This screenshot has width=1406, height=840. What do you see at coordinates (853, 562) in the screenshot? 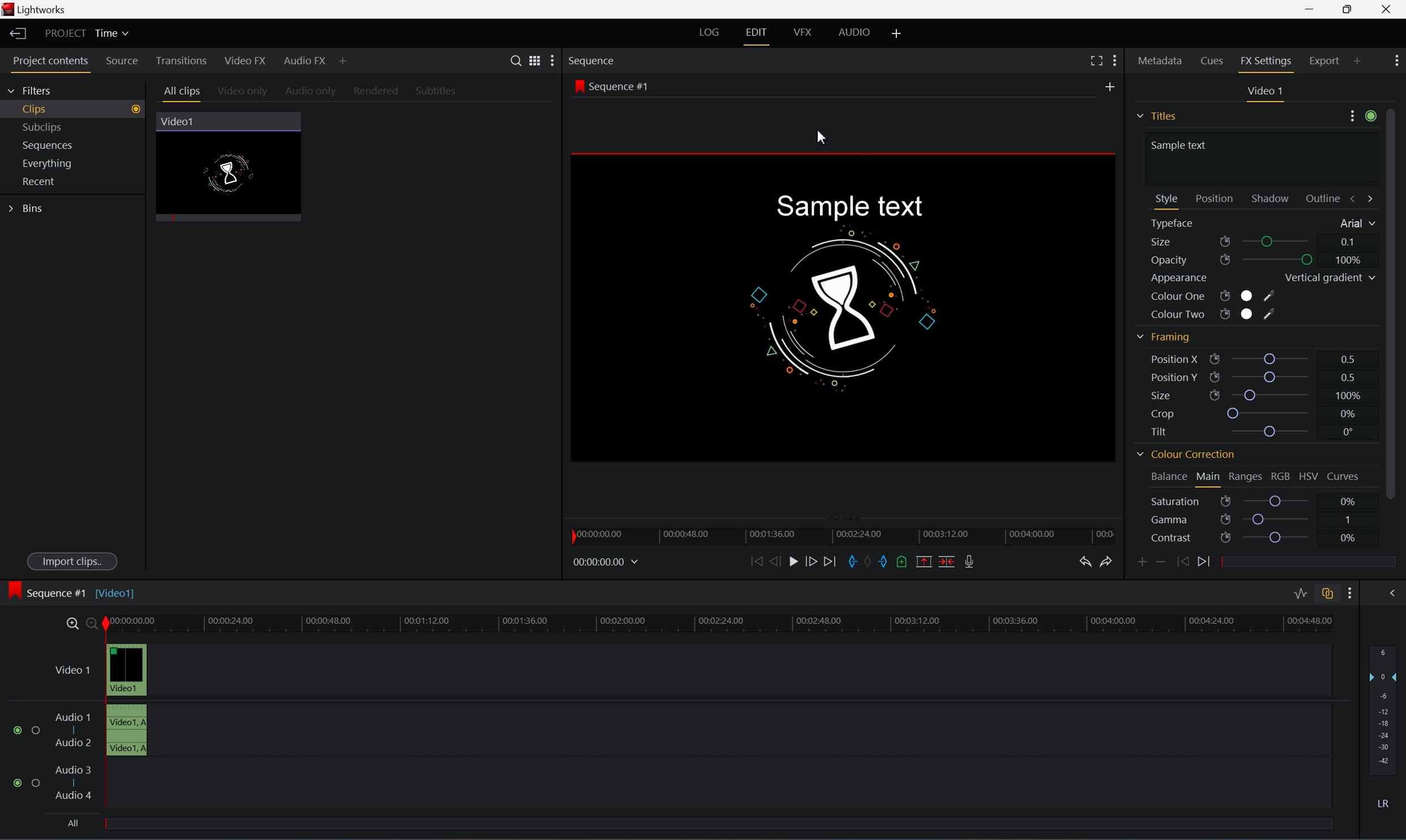
I see `Add an 'in' mark at the current position` at bounding box center [853, 562].